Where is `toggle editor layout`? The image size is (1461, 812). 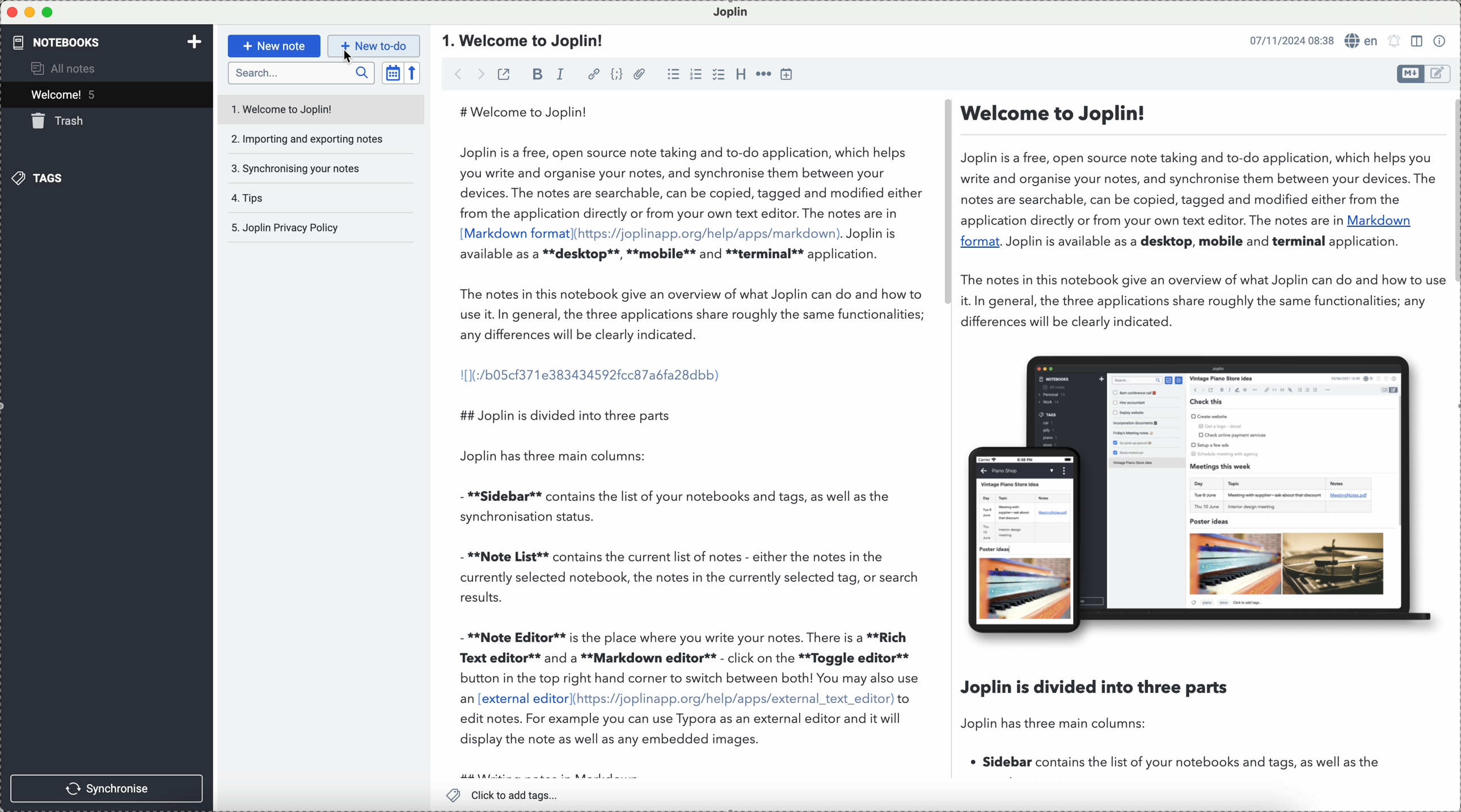
toggle editor layout is located at coordinates (1418, 41).